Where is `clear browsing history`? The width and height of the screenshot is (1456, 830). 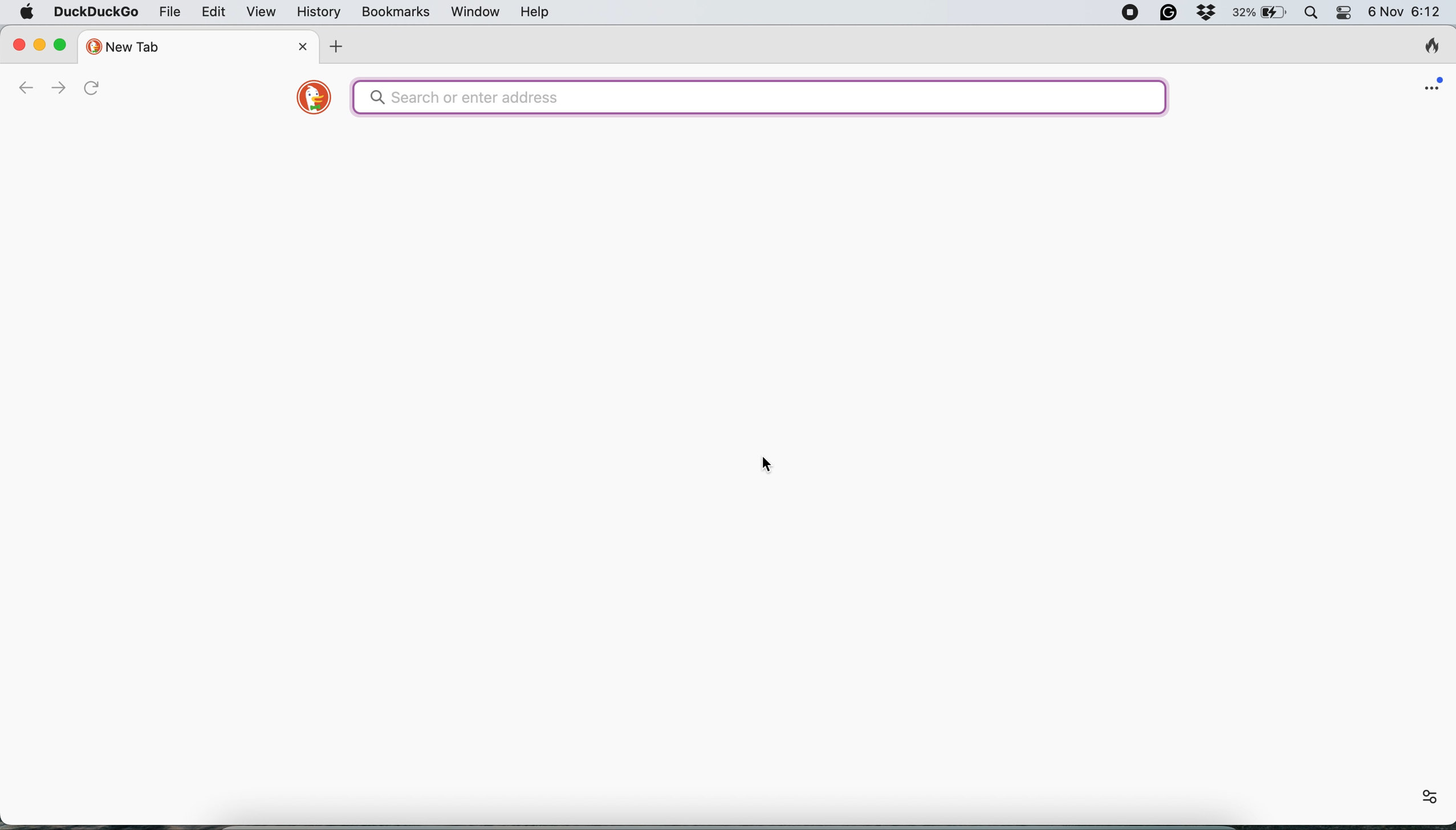
clear browsing history is located at coordinates (1431, 48).